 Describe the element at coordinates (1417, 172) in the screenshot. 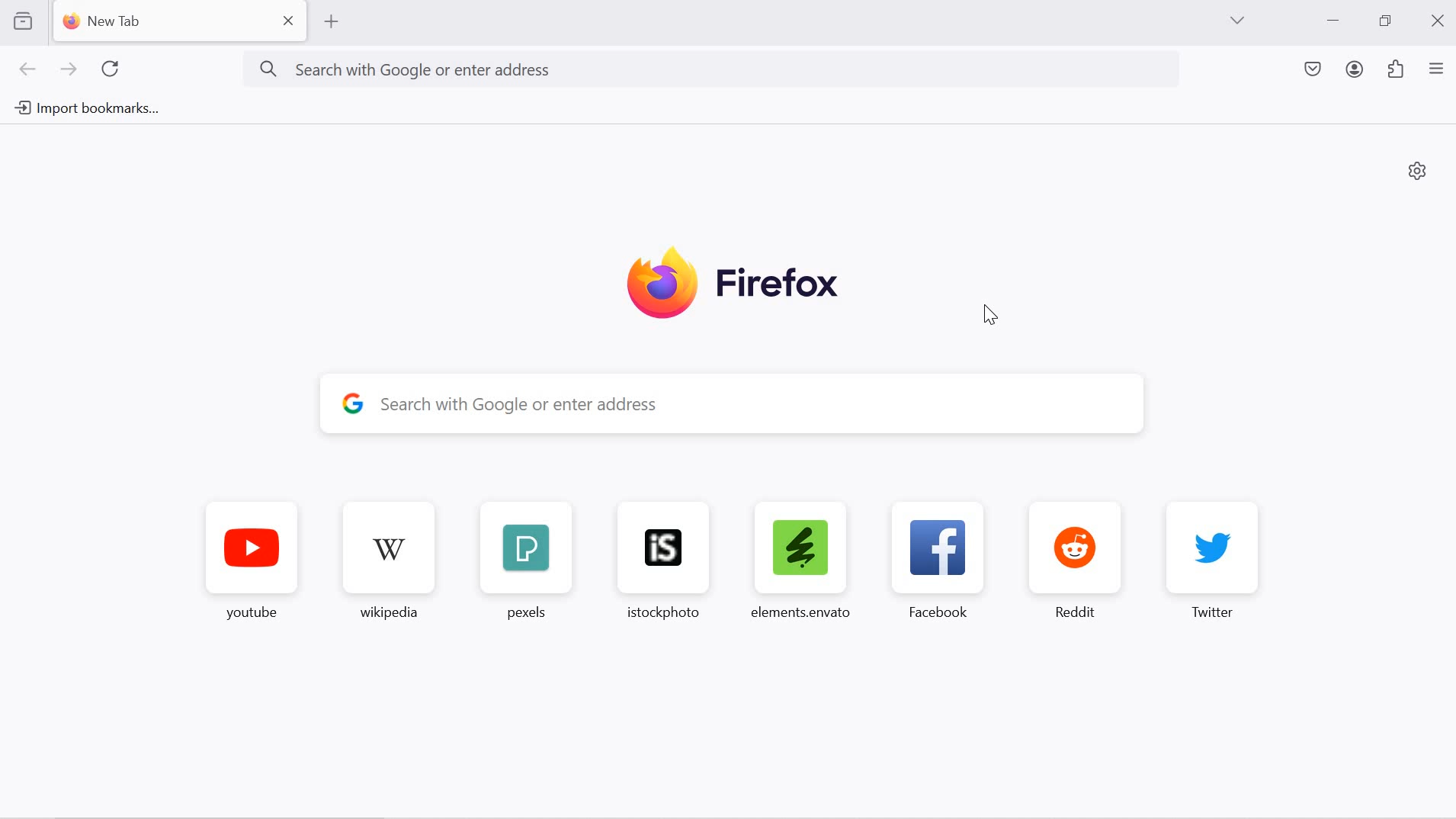

I see `personalize new tab` at that location.